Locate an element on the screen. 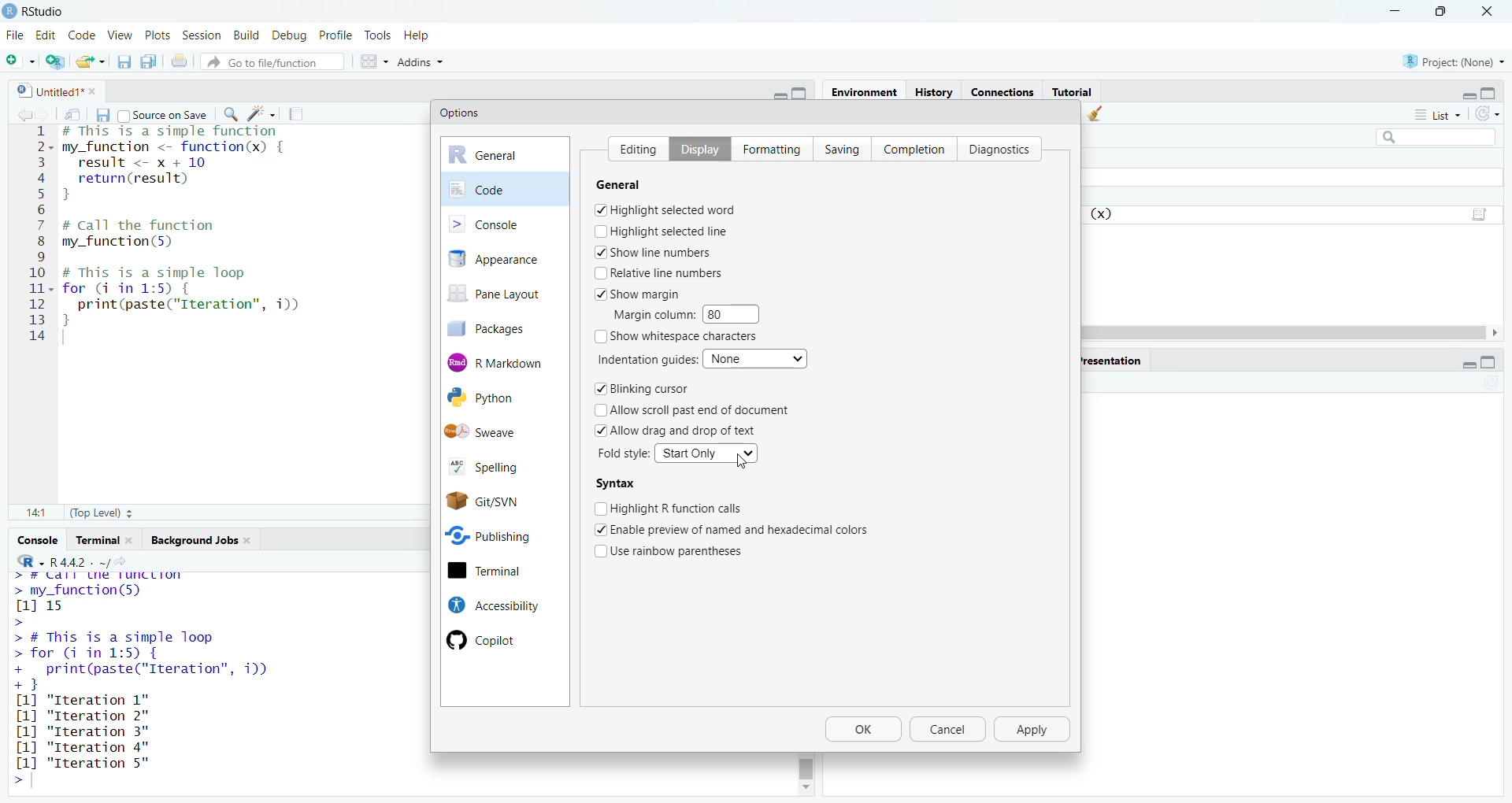 This screenshot has width=1512, height=803. refresh the list of objects in the environment is located at coordinates (1495, 116).